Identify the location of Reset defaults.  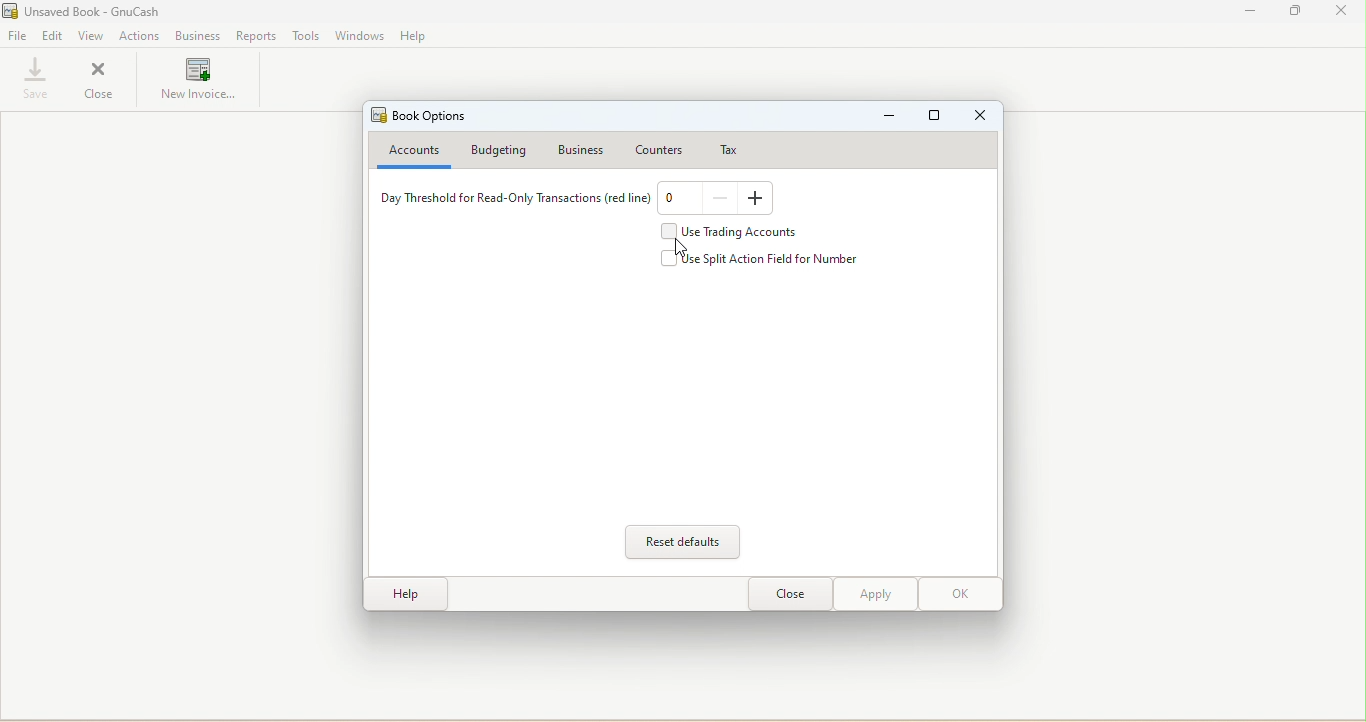
(686, 542).